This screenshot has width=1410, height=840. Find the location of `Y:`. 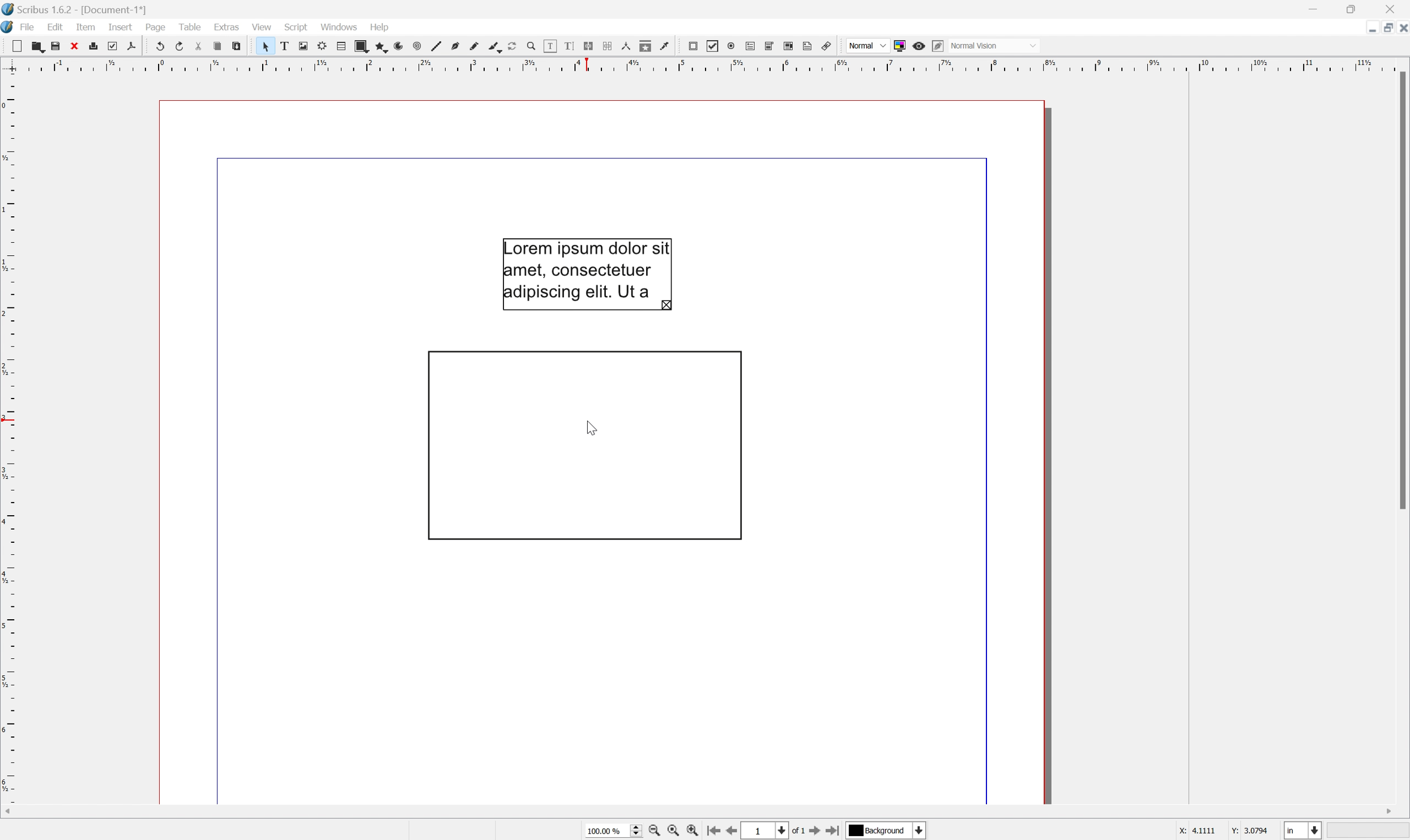

Y: is located at coordinates (1236, 832).